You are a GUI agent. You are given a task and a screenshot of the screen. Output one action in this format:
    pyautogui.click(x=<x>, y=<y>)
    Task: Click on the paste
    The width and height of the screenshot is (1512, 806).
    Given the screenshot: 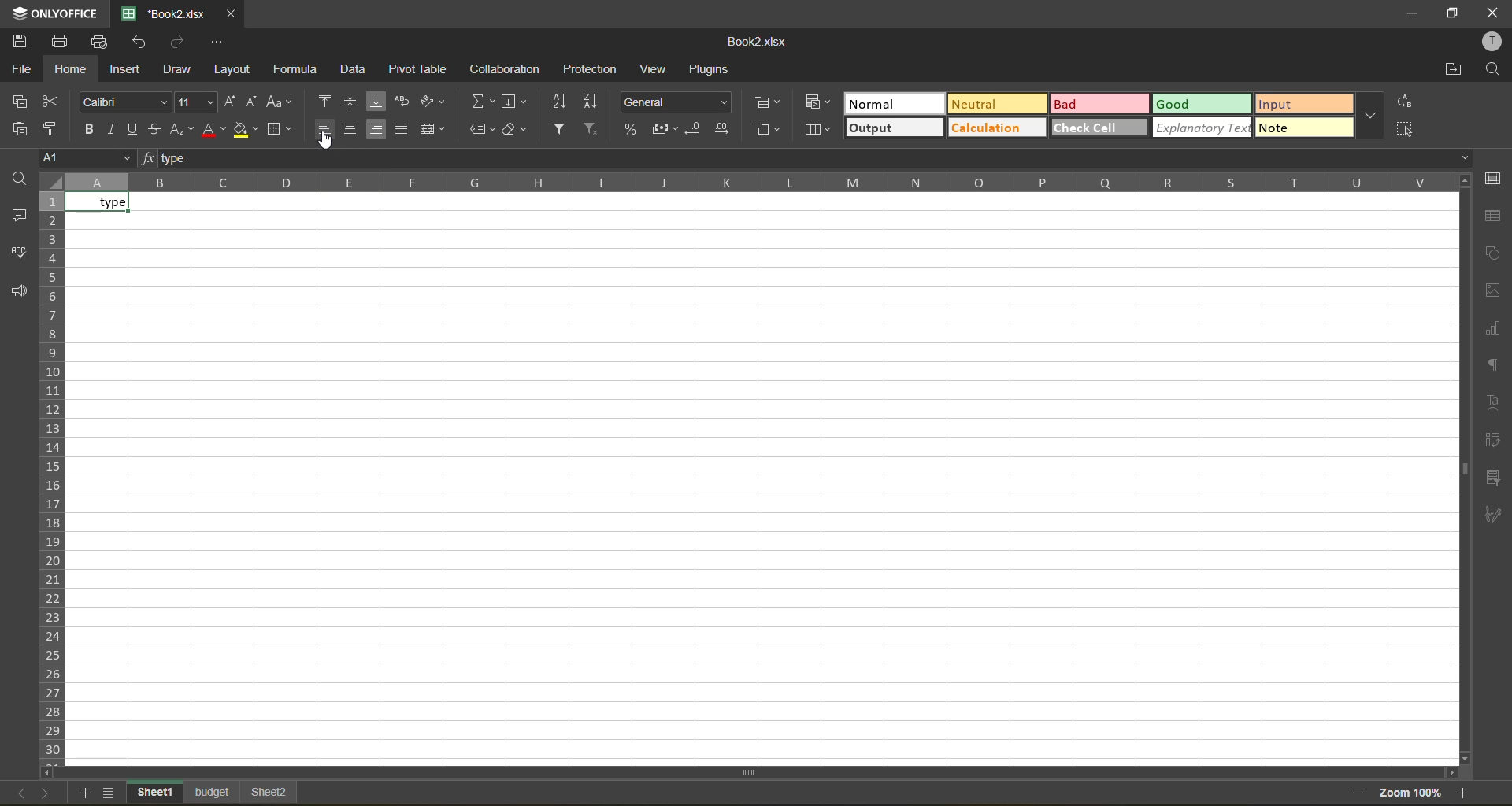 What is the action you would take?
    pyautogui.click(x=17, y=130)
    